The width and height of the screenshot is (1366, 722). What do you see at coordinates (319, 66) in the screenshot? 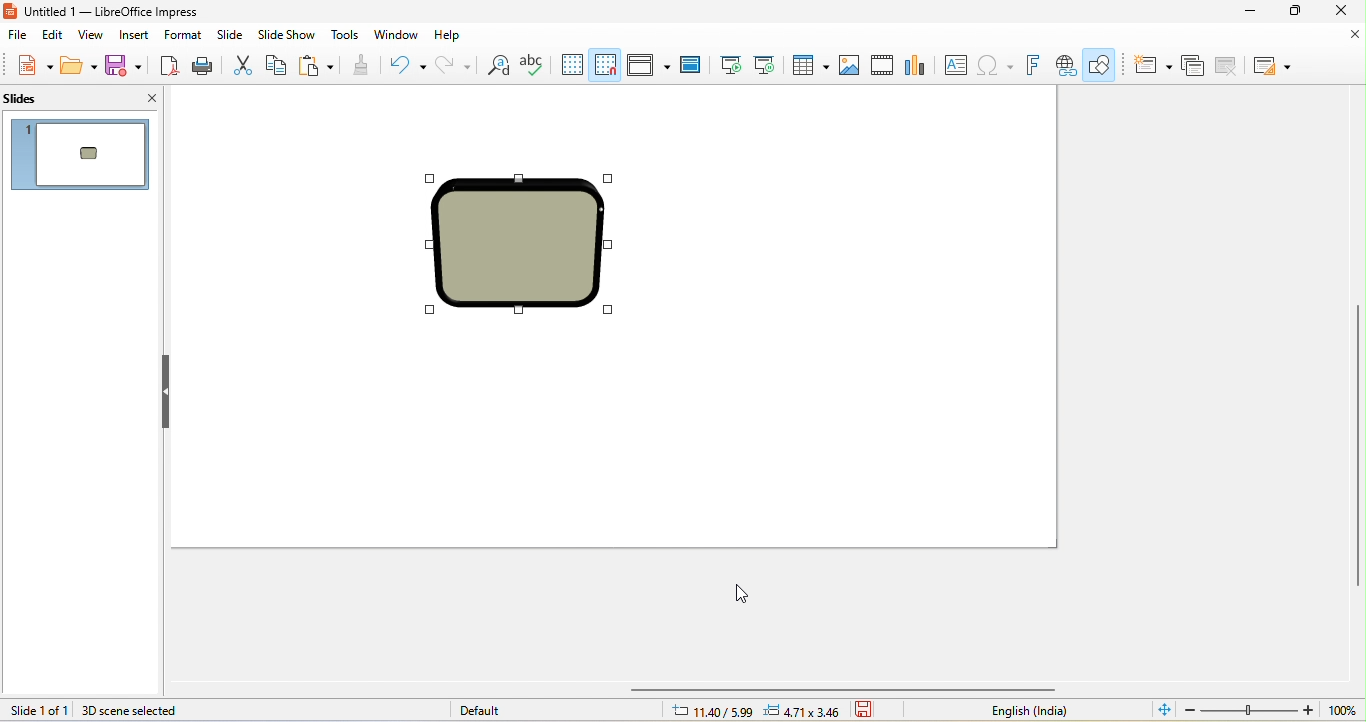
I see `paste` at bounding box center [319, 66].